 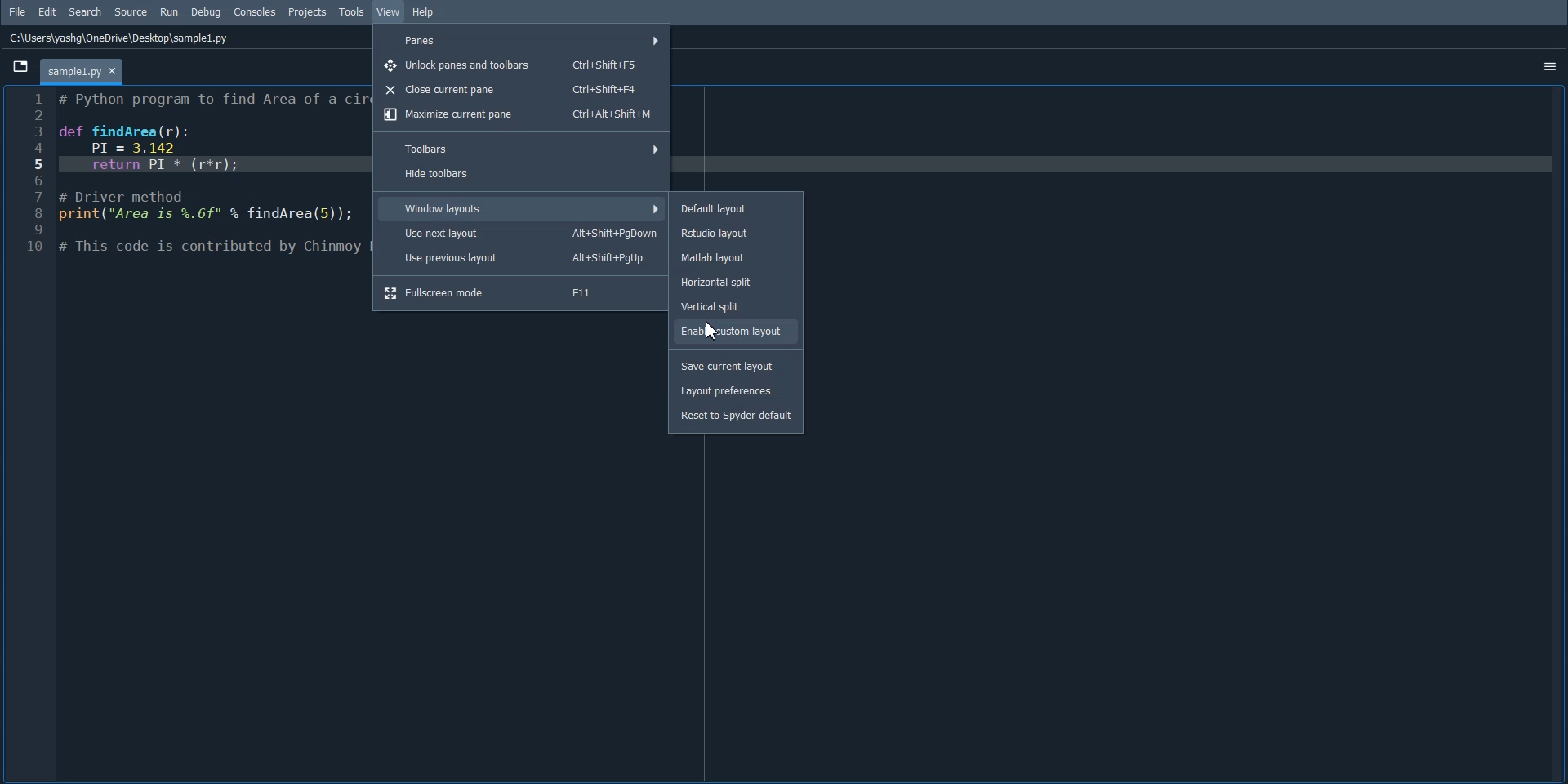 I want to click on Vertical split, so click(x=736, y=305).